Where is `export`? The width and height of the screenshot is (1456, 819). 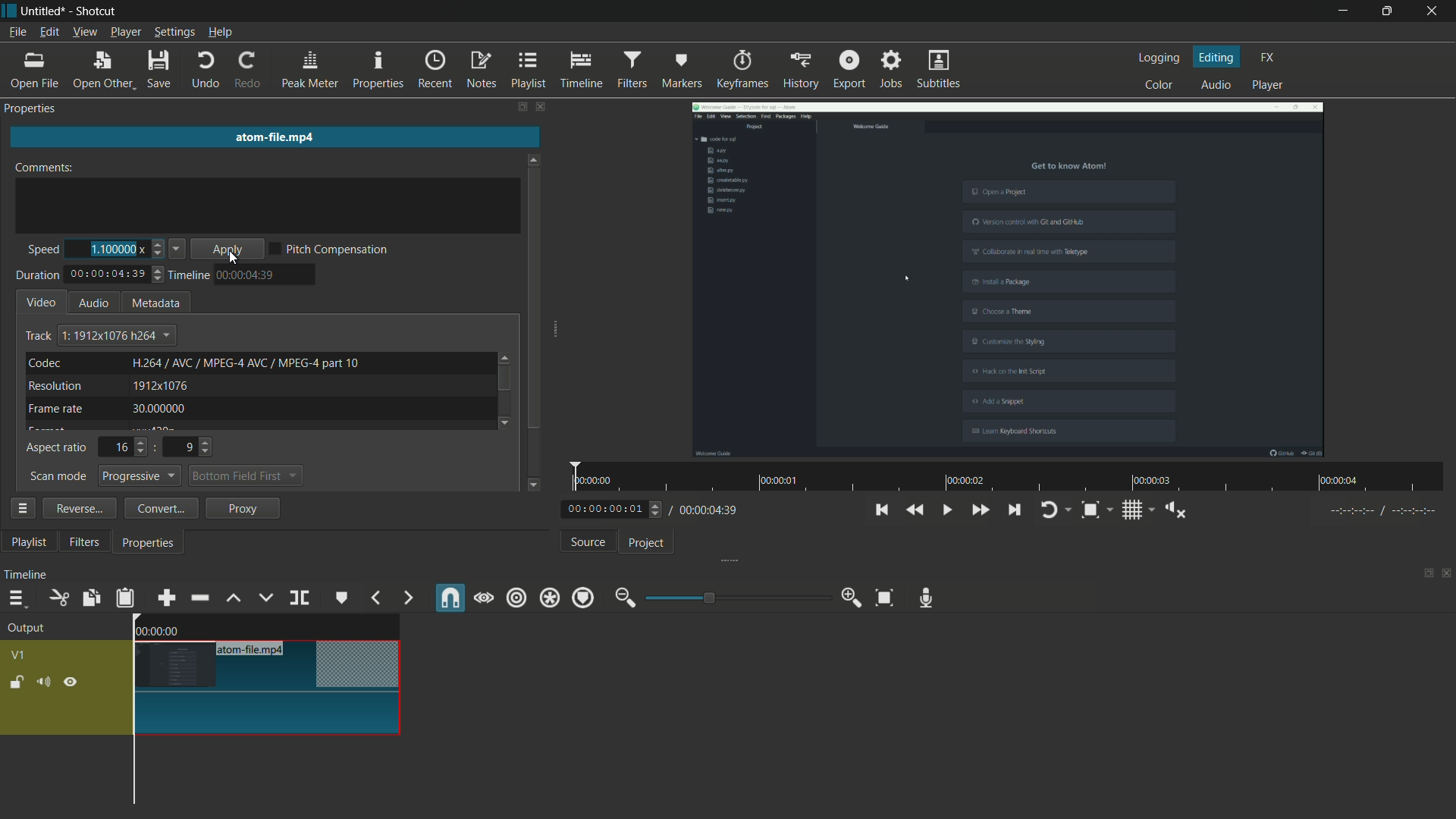
export is located at coordinates (849, 69).